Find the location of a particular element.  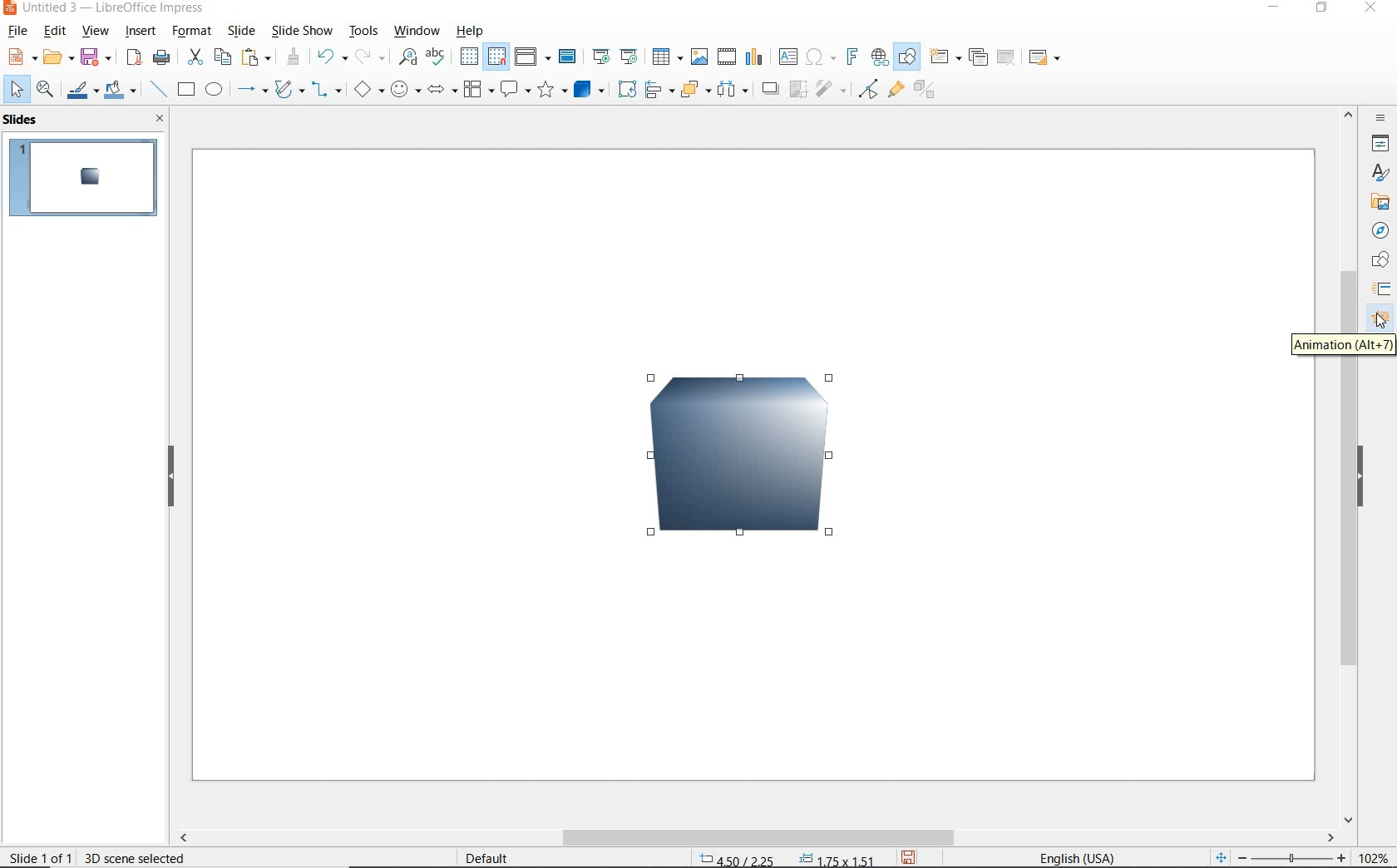

line color is located at coordinates (81, 91).